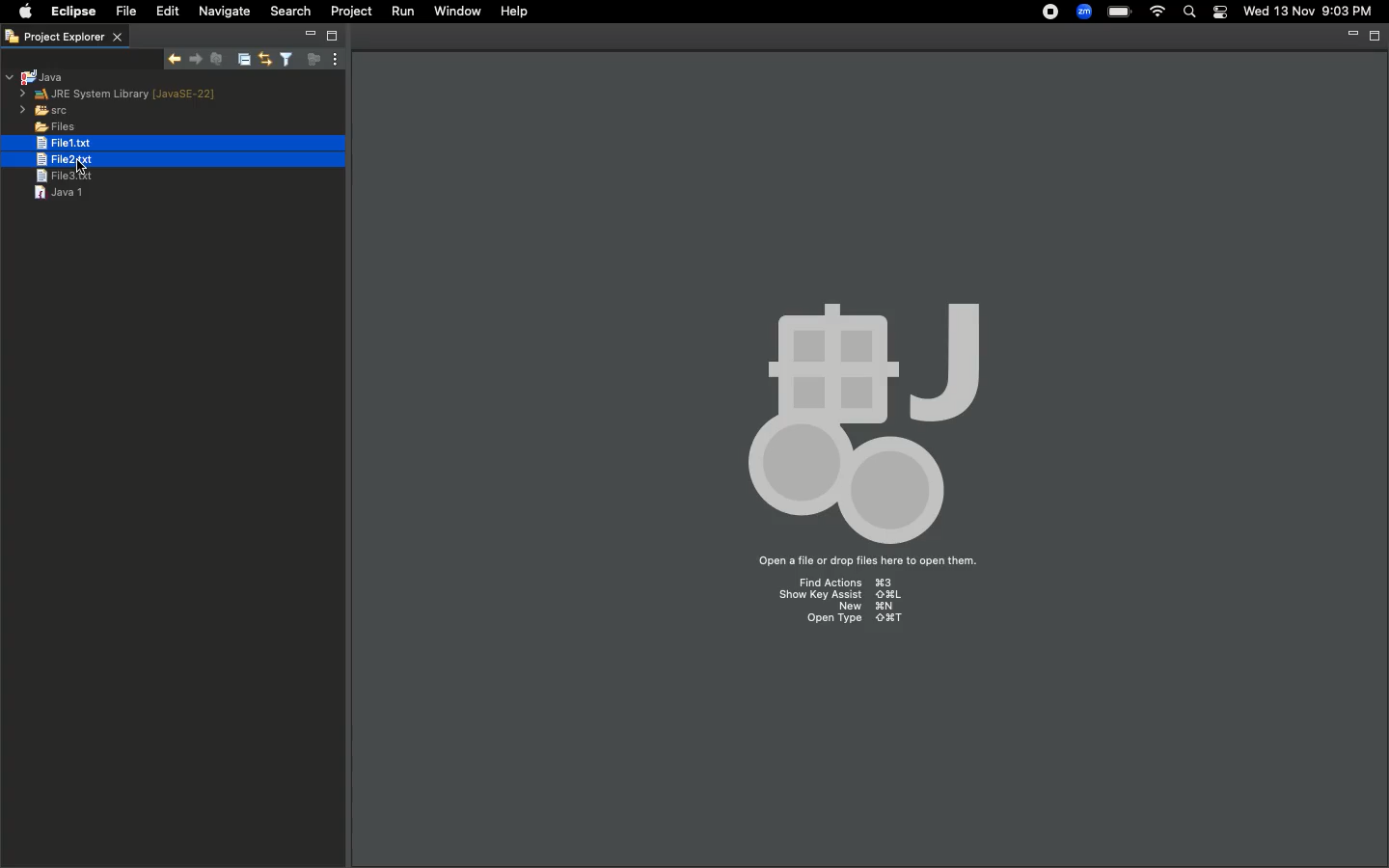 The image size is (1389, 868). What do you see at coordinates (138, 146) in the screenshot?
I see `Selected files` at bounding box center [138, 146].